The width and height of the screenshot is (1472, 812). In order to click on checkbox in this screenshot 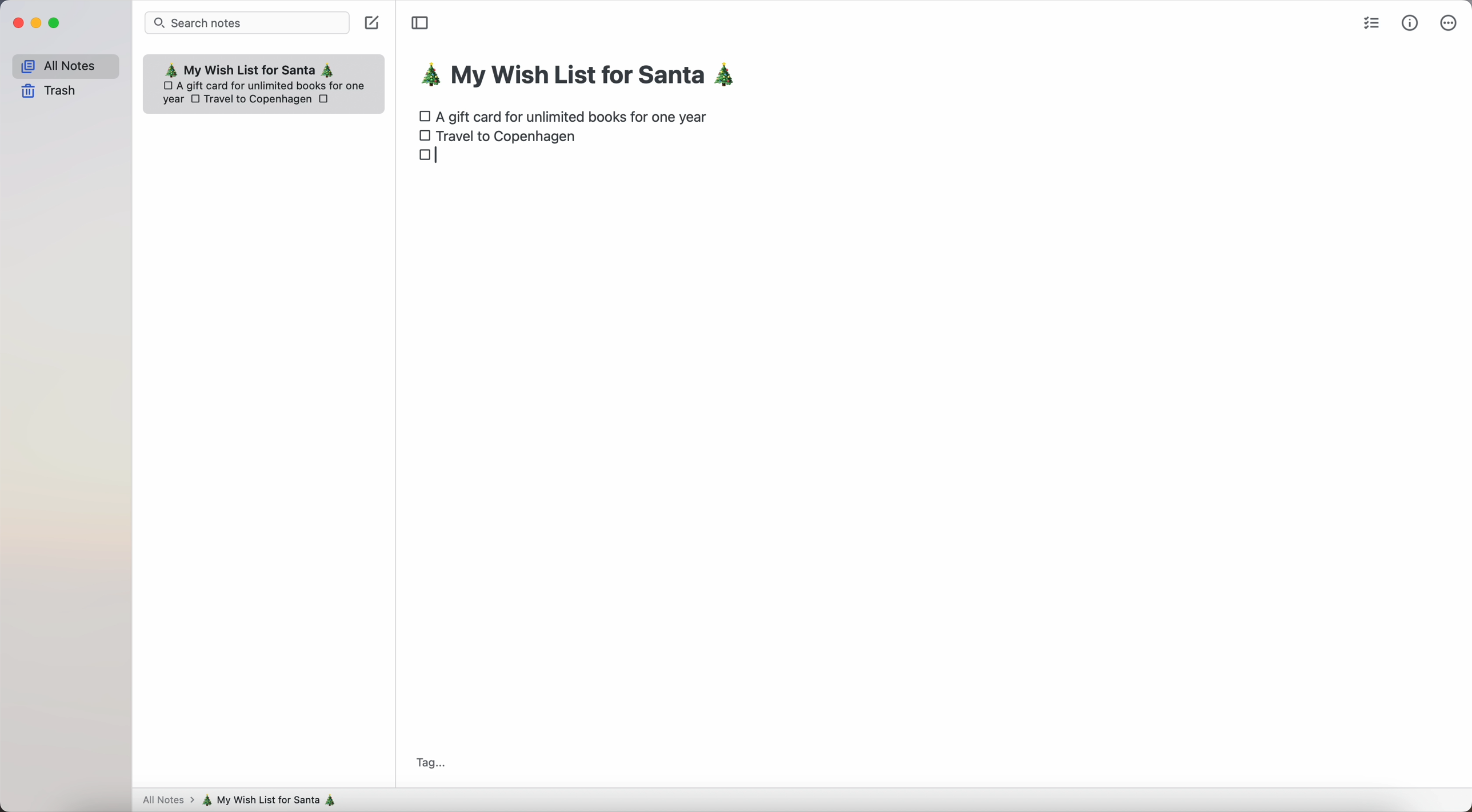, I will do `click(424, 135)`.